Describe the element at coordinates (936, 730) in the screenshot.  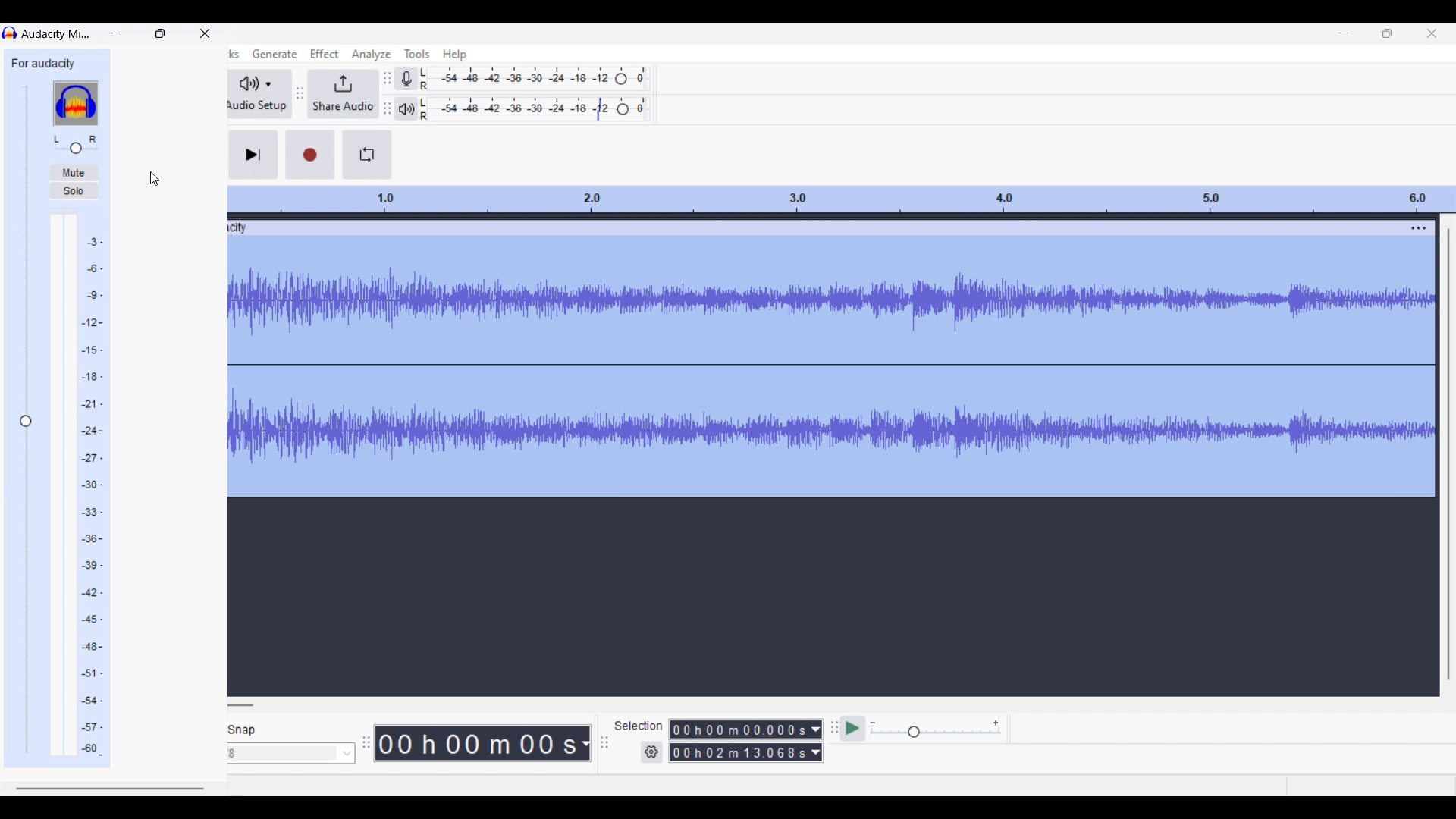
I see `Playback speed slider` at that location.